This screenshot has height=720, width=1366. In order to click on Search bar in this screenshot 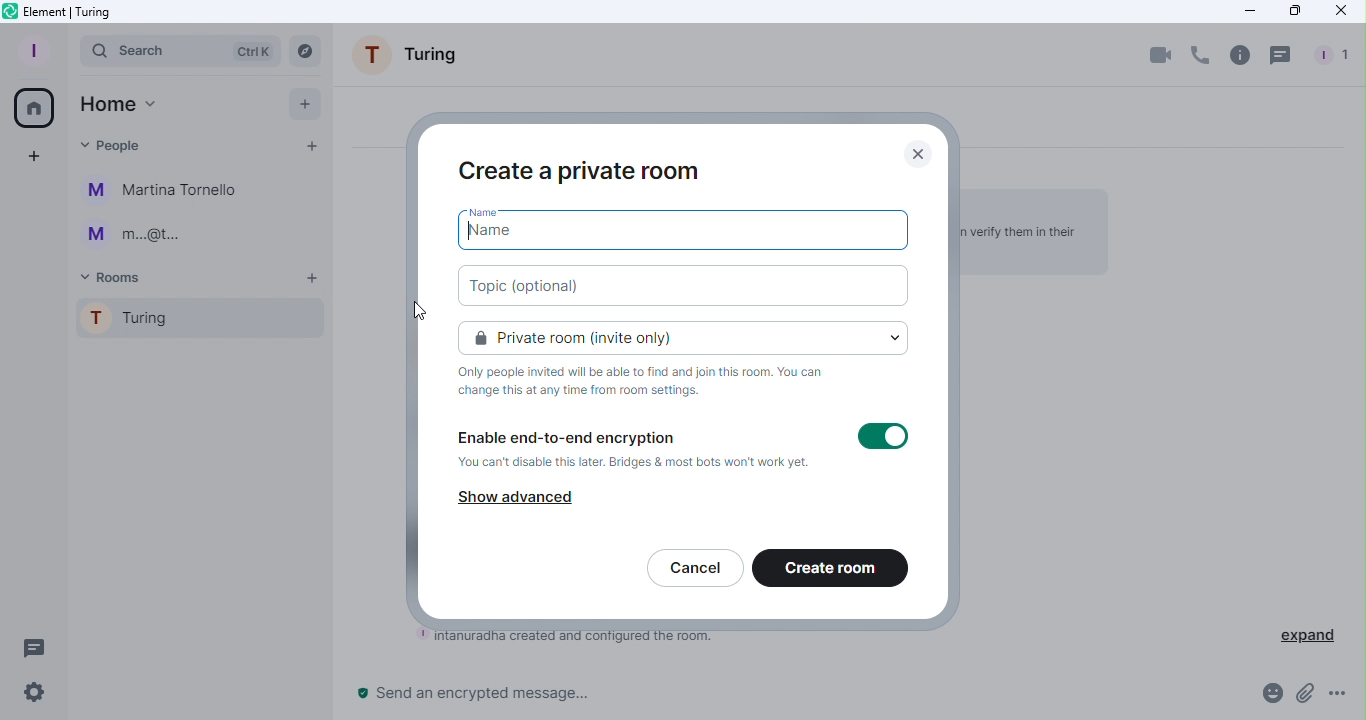, I will do `click(180, 50)`.